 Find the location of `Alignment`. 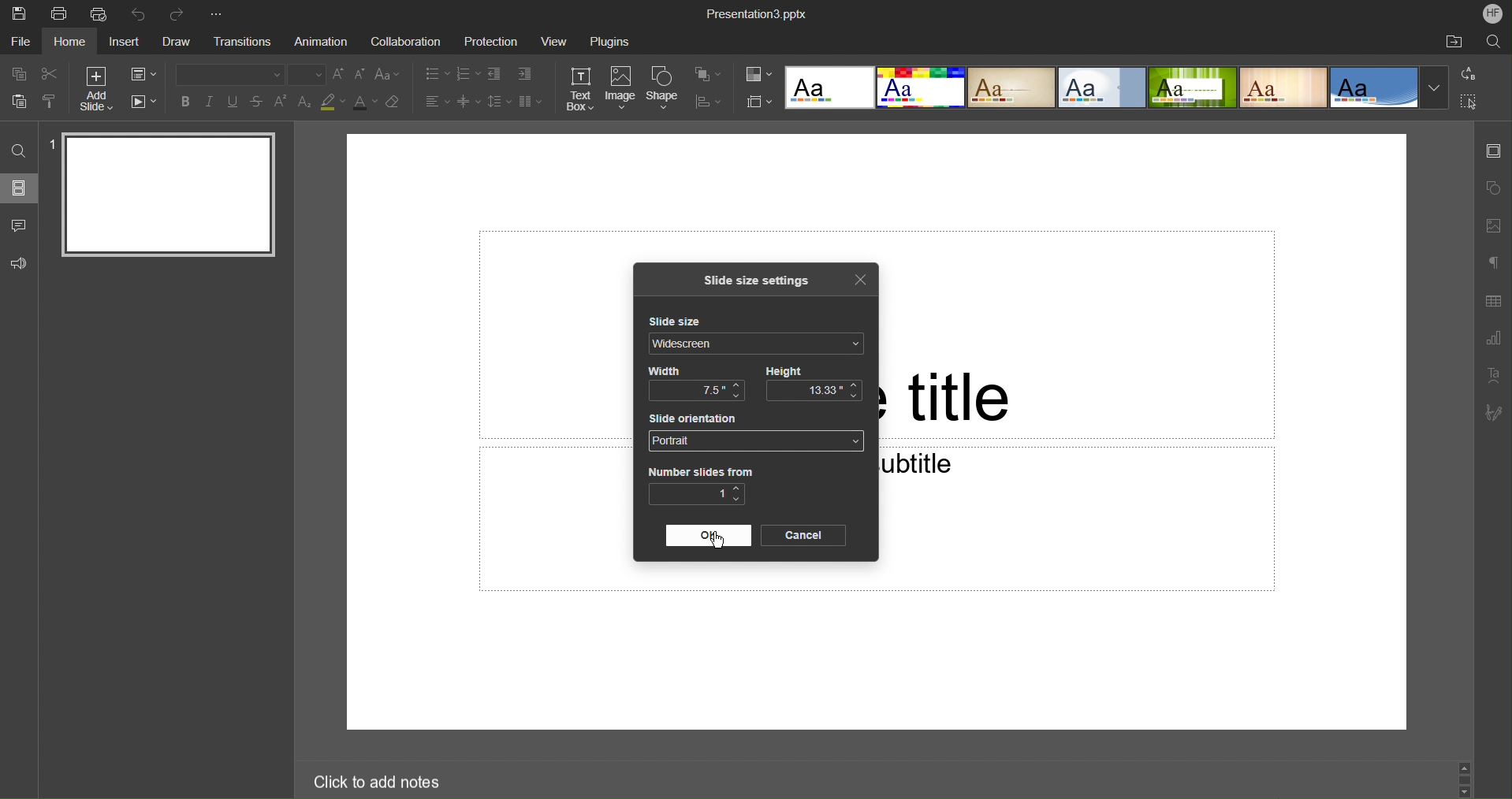

Alignment is located at coordinates (436, 101).